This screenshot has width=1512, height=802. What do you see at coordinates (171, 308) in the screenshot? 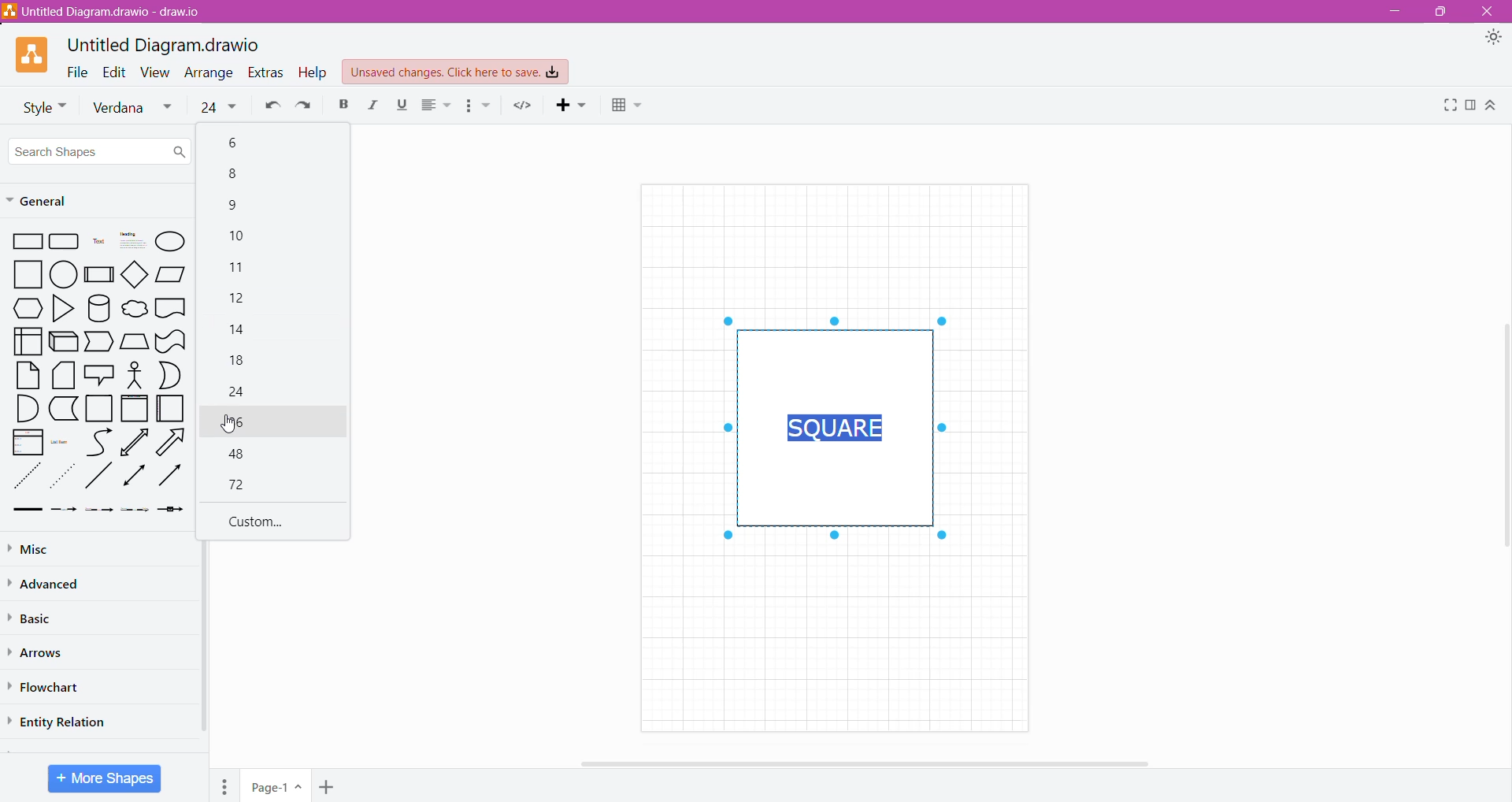
I see `Document` at bounding box center [171, 308].